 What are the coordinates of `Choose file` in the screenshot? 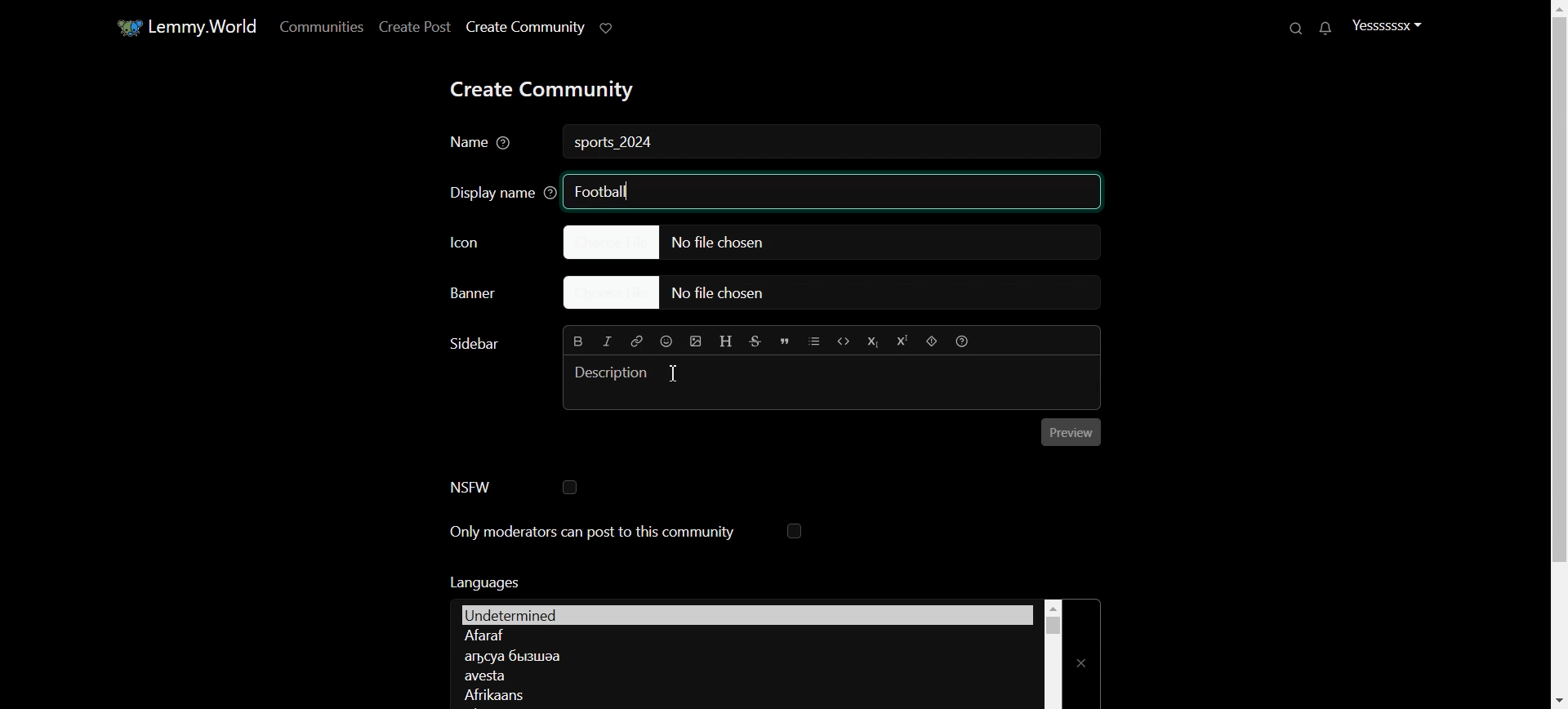 It's located at (840, 294).